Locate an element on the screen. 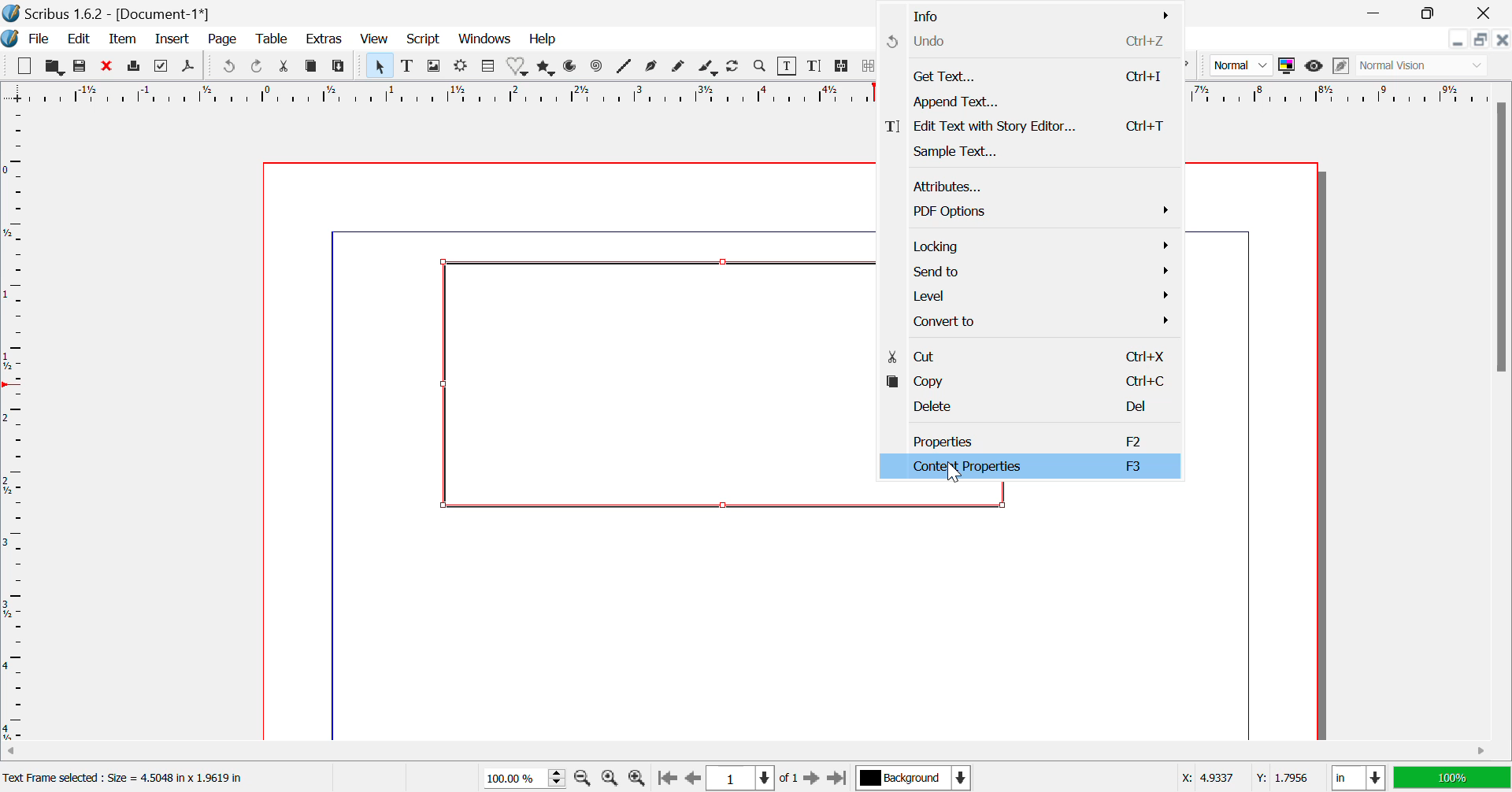 This screenshot has width=1512, height=792. vertical page margins is located at coordinates (1347, 94).